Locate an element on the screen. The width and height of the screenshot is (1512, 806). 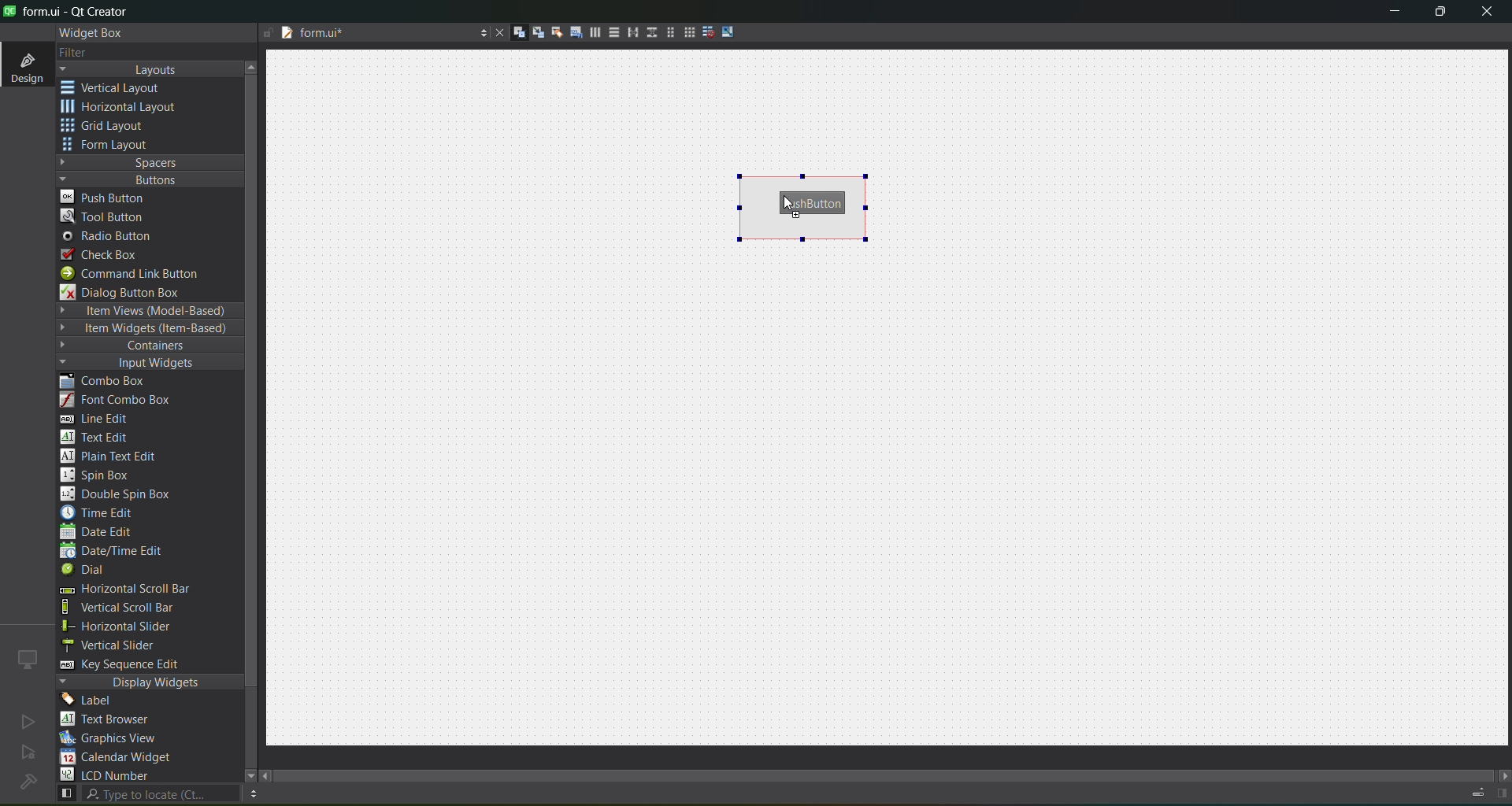
move left is located at coordinates (268, 777).